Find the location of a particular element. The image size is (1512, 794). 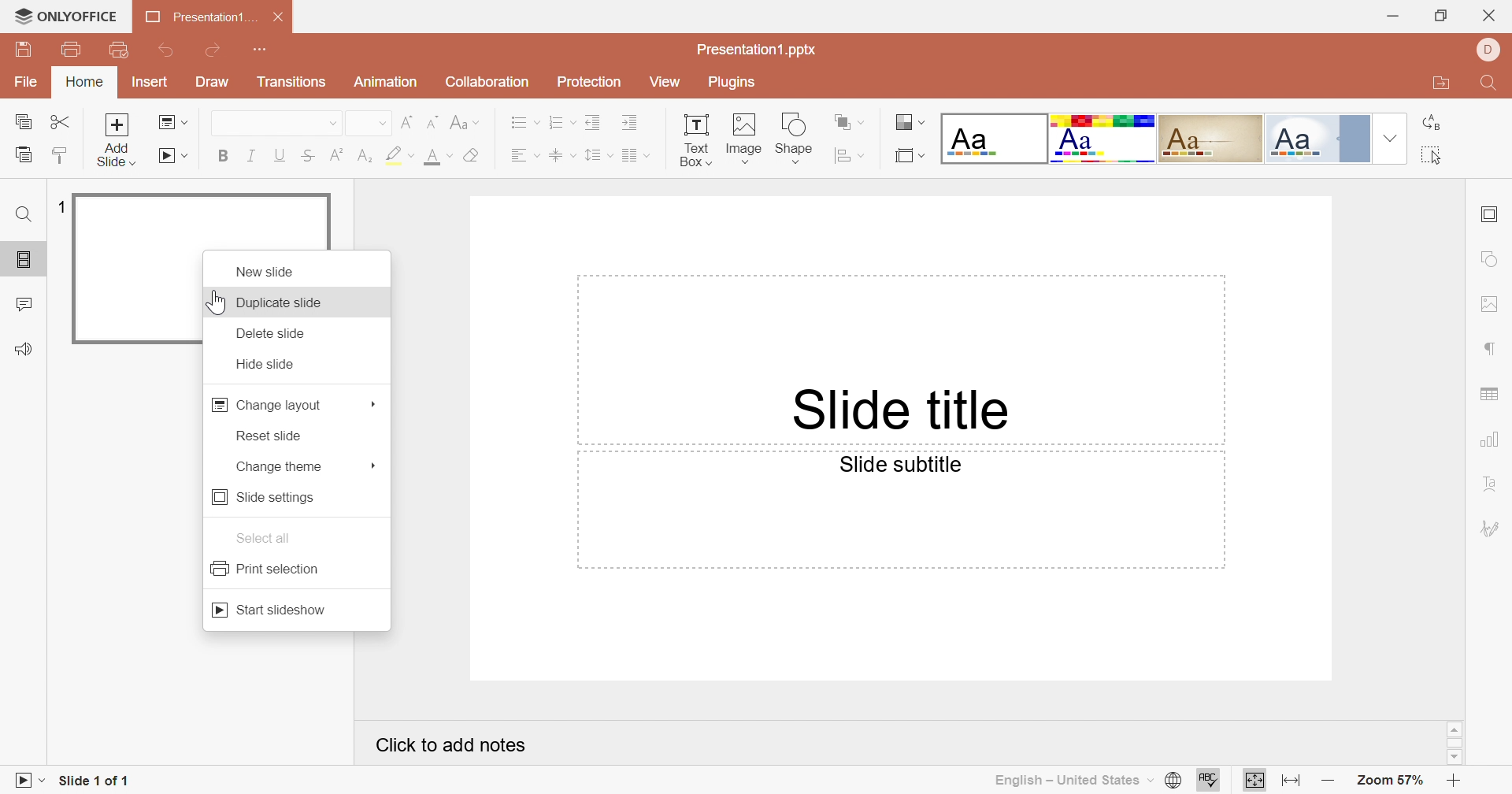

Set document language is located at coordinates (1175, 781).